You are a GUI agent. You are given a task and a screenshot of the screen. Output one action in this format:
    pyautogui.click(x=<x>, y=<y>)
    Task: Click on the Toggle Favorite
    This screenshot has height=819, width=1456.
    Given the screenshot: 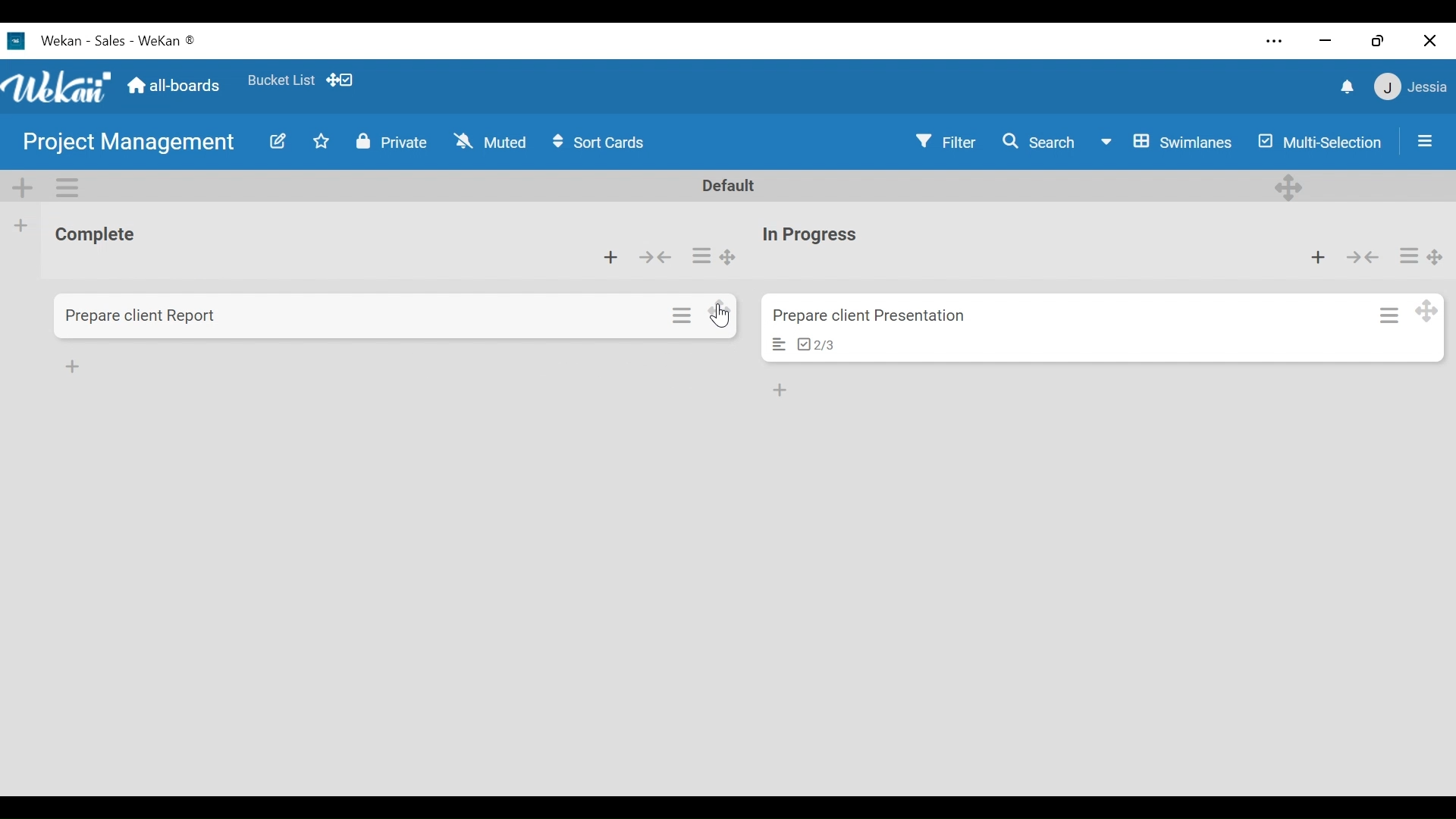 What is the action you would take?
    pyautogui.click(x=318, y=143)
    